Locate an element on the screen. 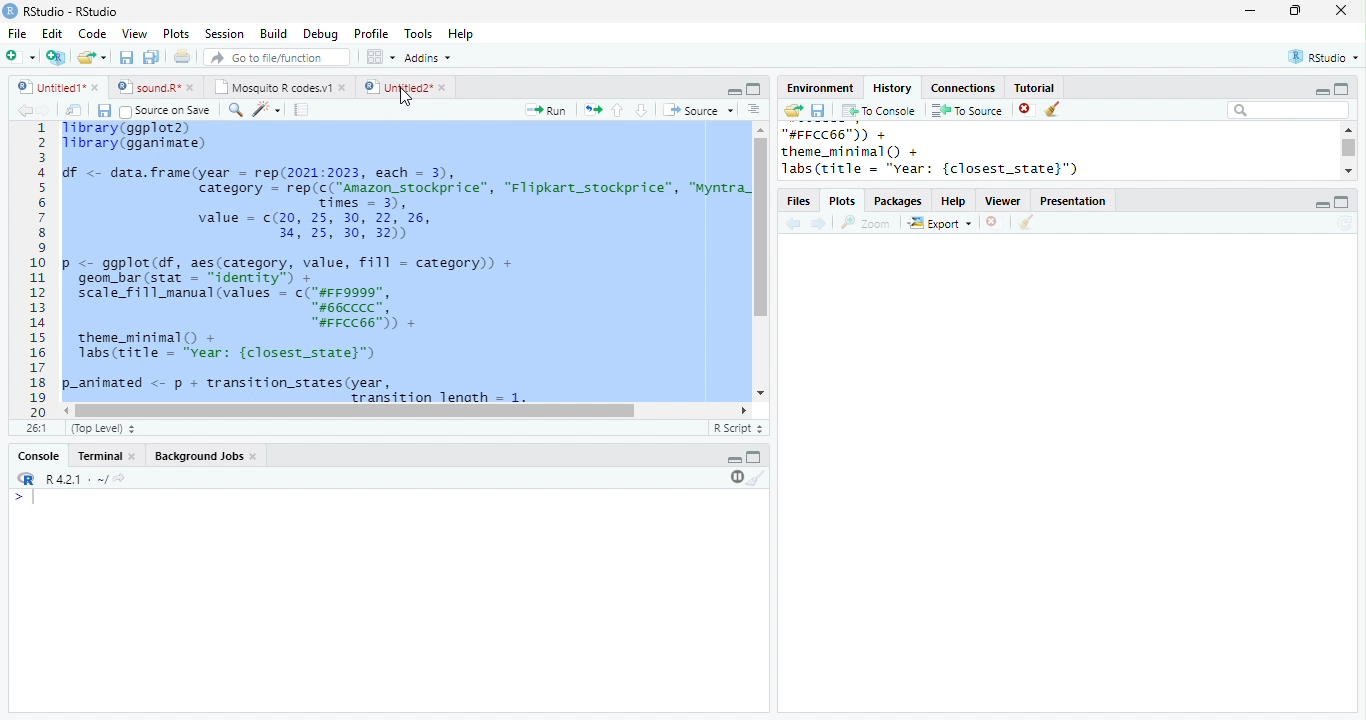 This screenshot has height=720, width=1366. down is located at coordinates (640, 110).